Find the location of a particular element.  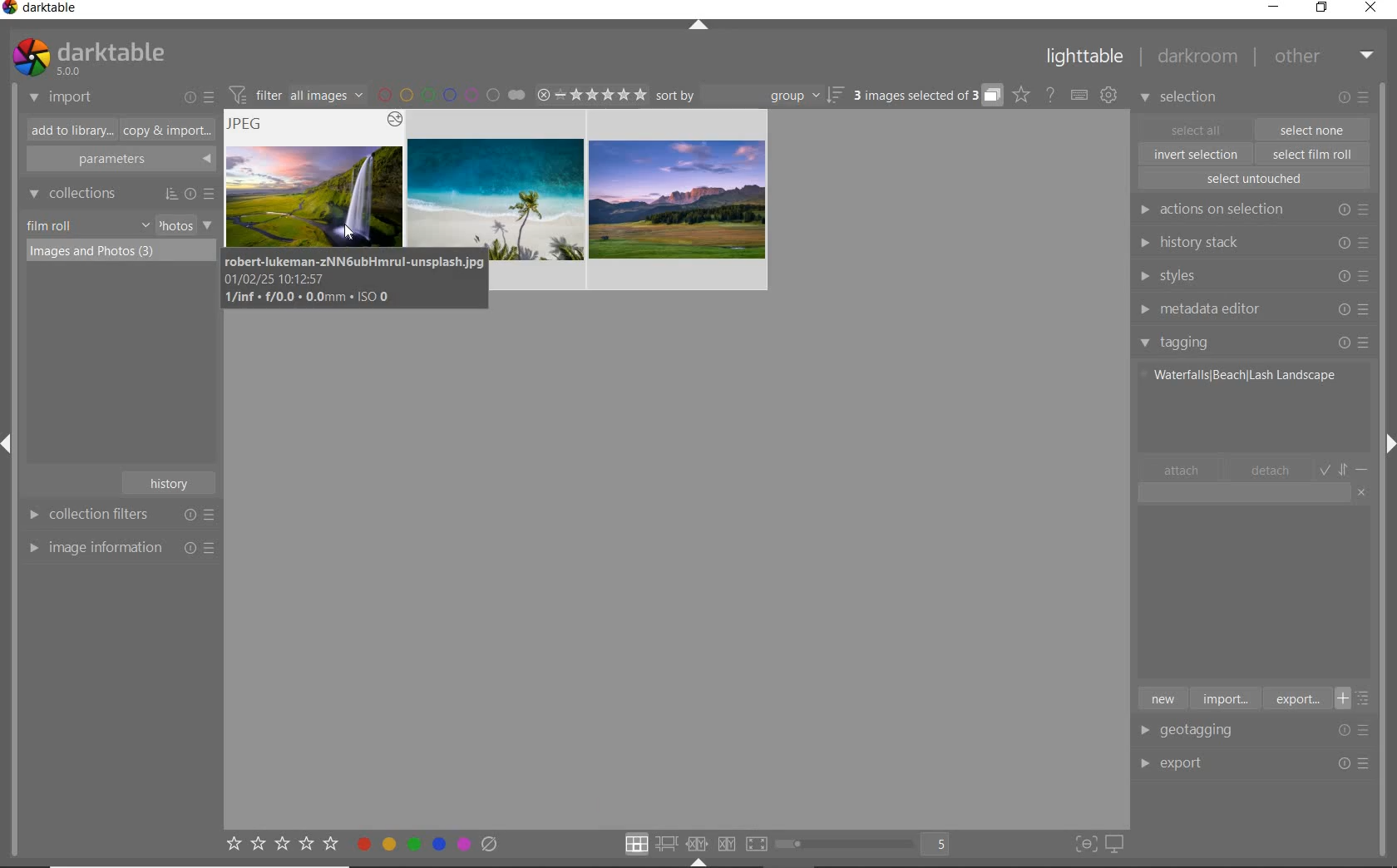

selection is located at coordinates (1181, 99).